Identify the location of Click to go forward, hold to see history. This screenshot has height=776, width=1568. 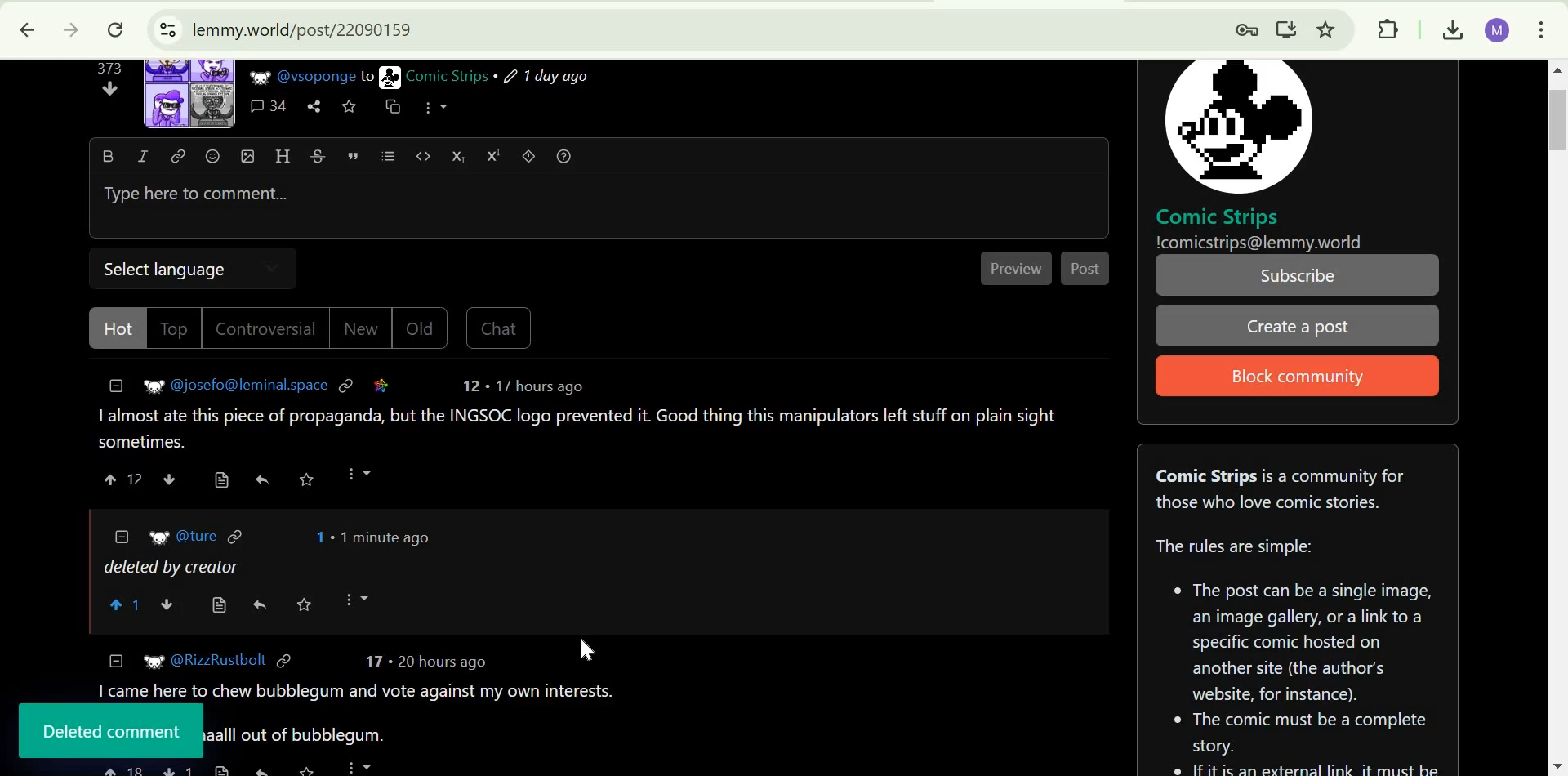
(68, 30).